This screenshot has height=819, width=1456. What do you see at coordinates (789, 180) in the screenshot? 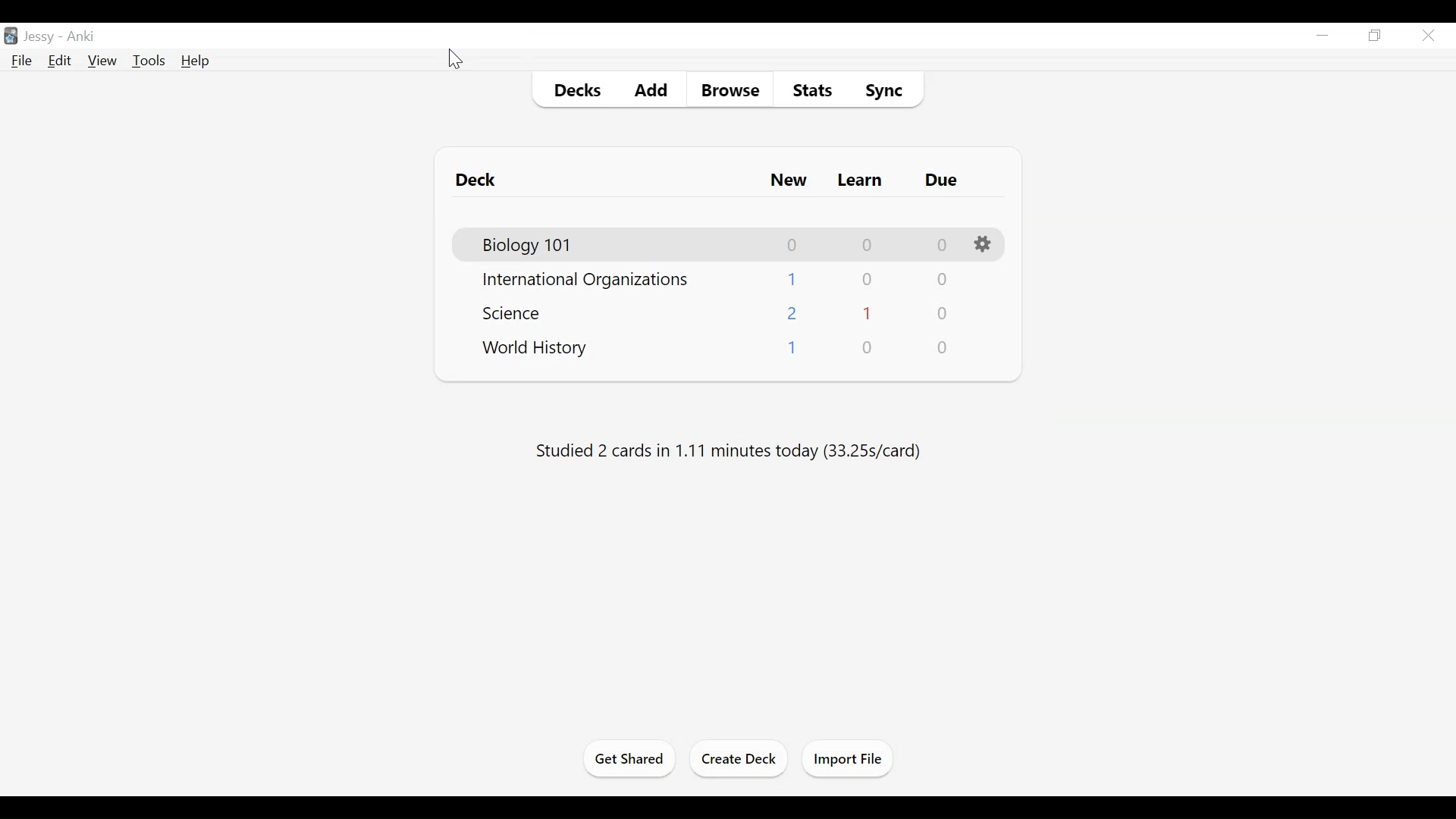
I see `New Card` at bounding box center [789, 180].